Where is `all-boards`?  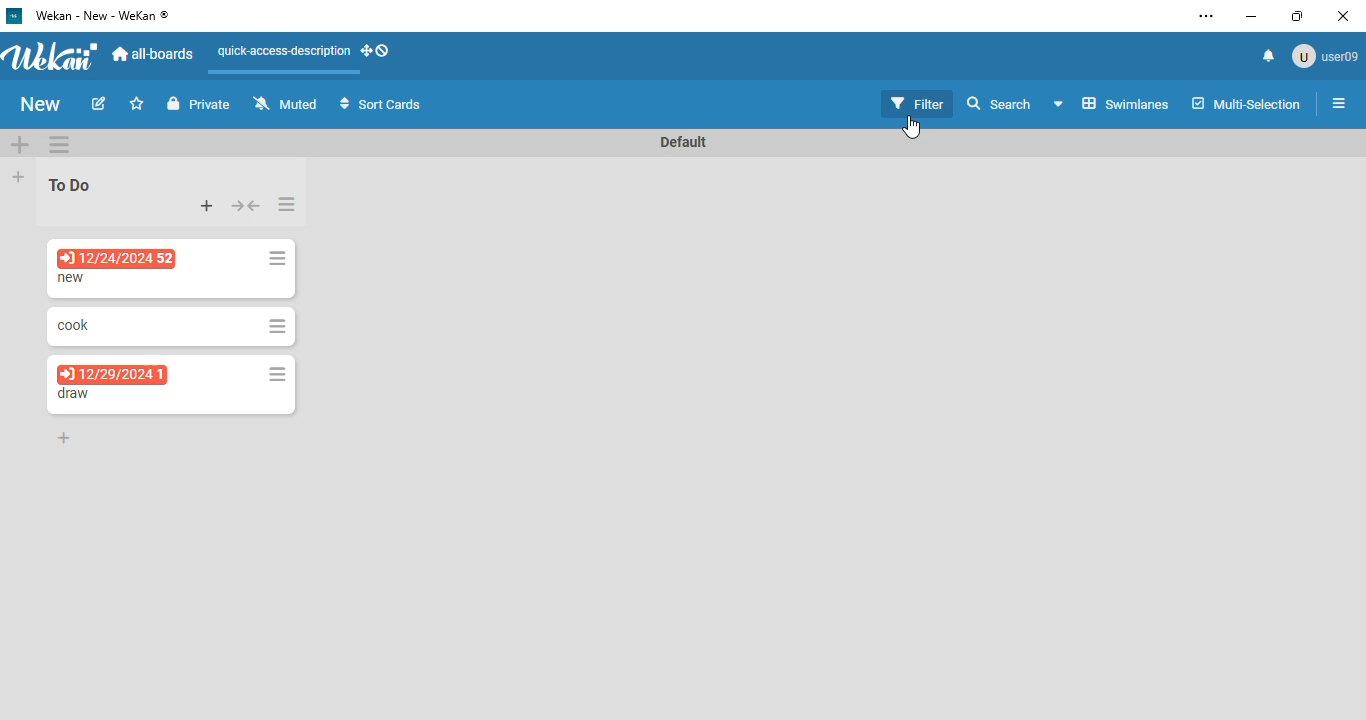
all-boards is located at coordinates (156, 55).